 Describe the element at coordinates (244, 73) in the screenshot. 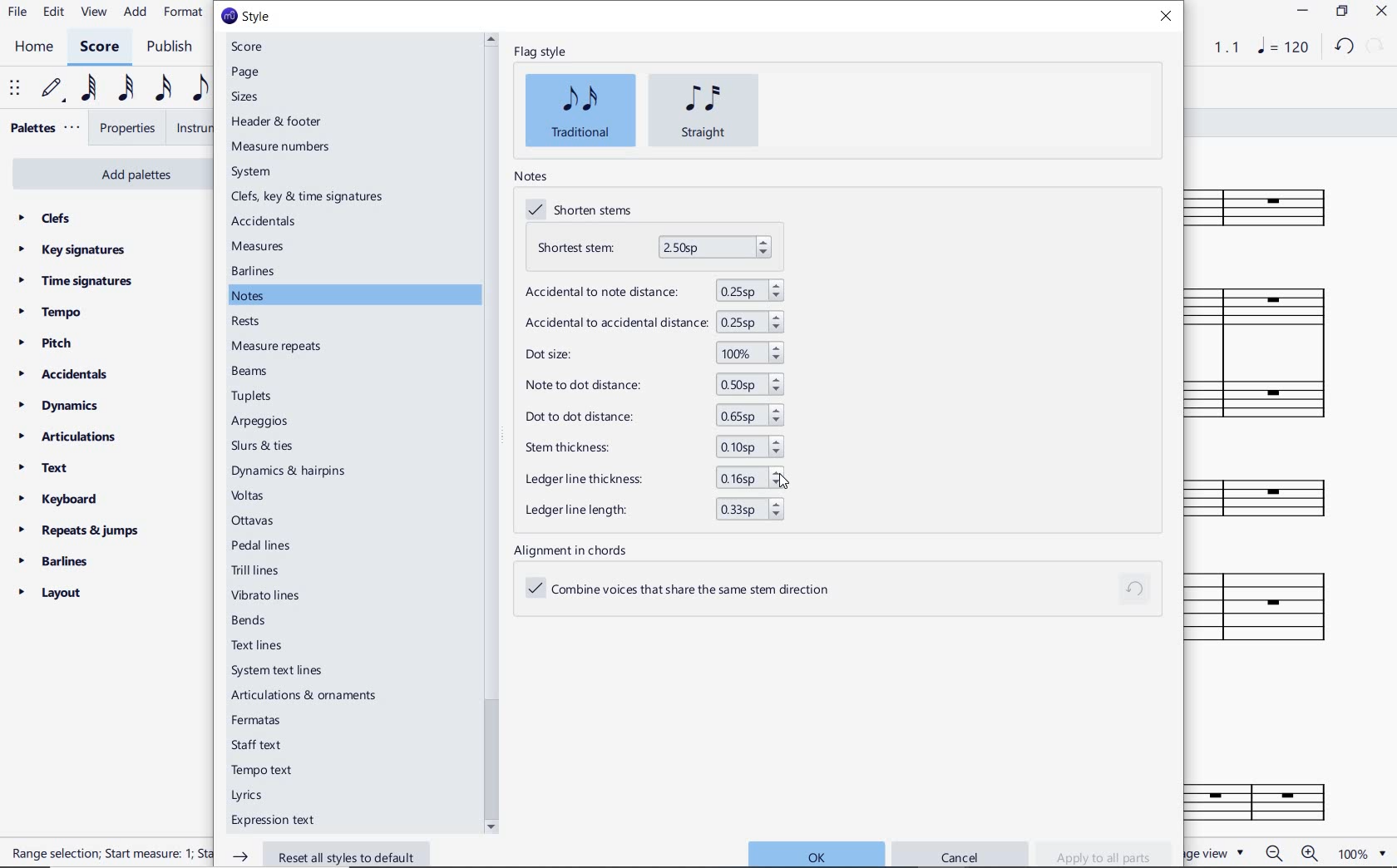

I see `page` at that location.